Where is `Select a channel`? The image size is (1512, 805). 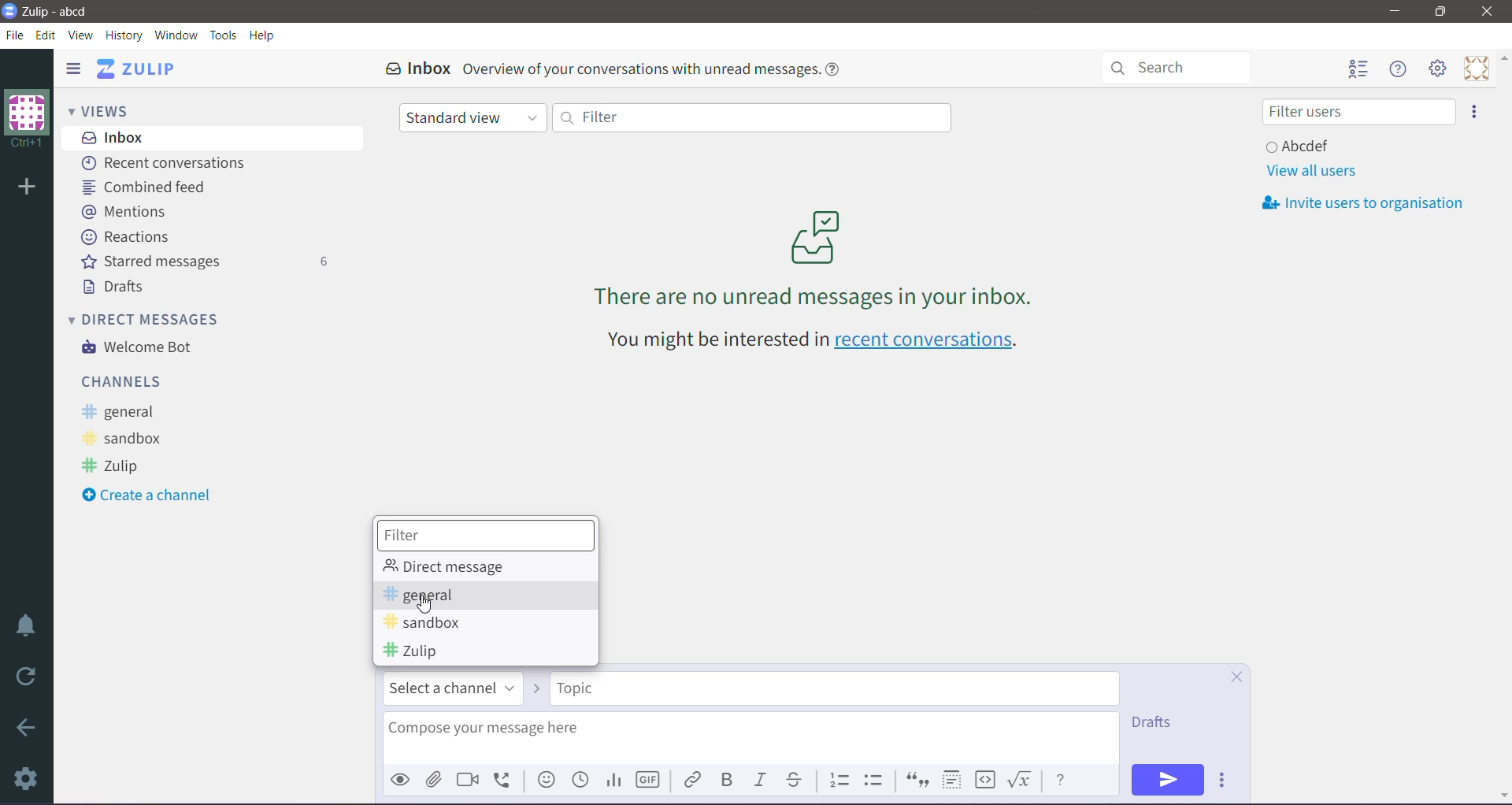 Select a channel is located at coordinates (454, 688).